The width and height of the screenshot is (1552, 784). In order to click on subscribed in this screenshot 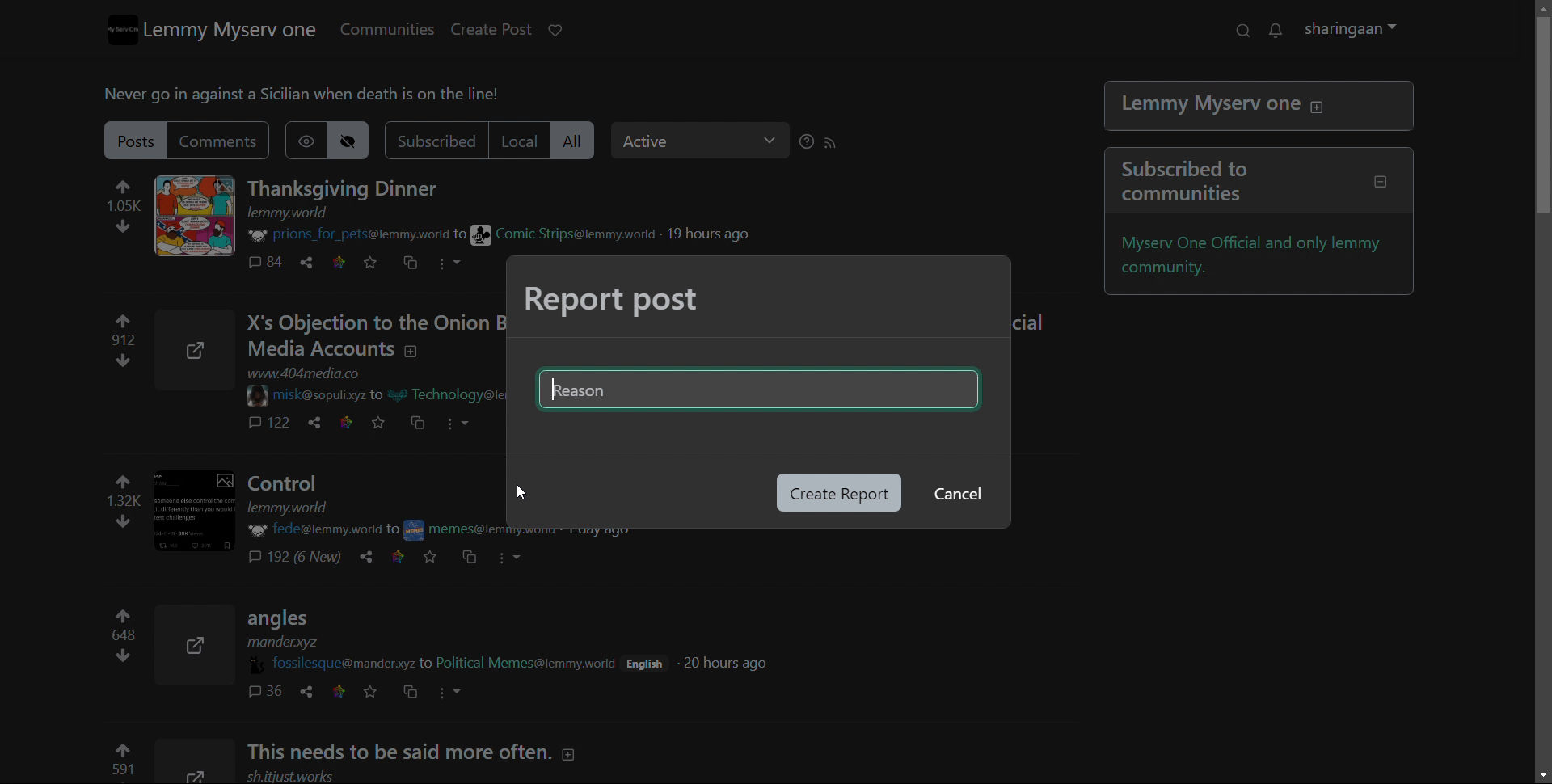, I will do `click(443, 141)`.